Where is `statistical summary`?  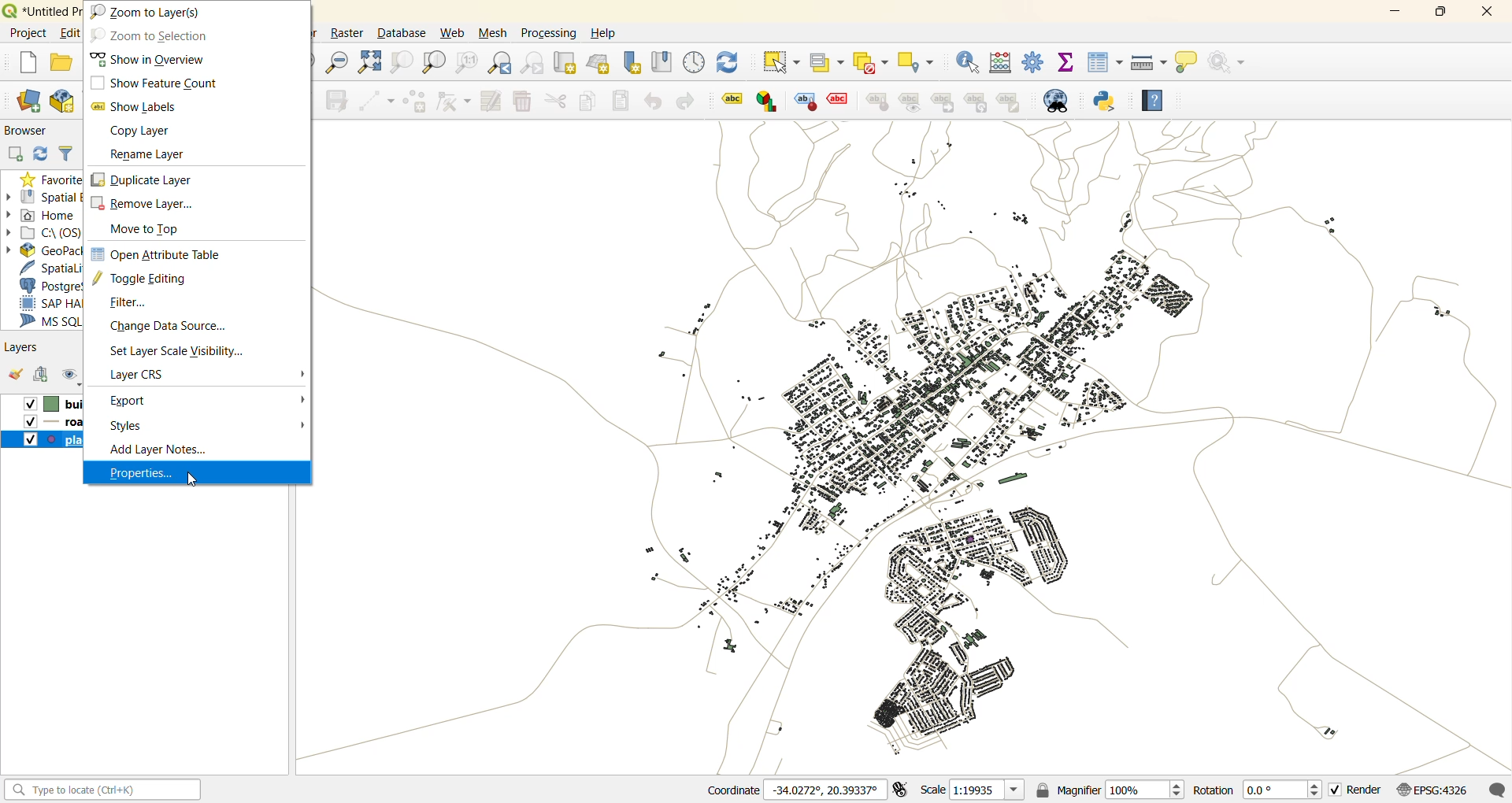 statistical summary is located at coordinates (1064, 63).